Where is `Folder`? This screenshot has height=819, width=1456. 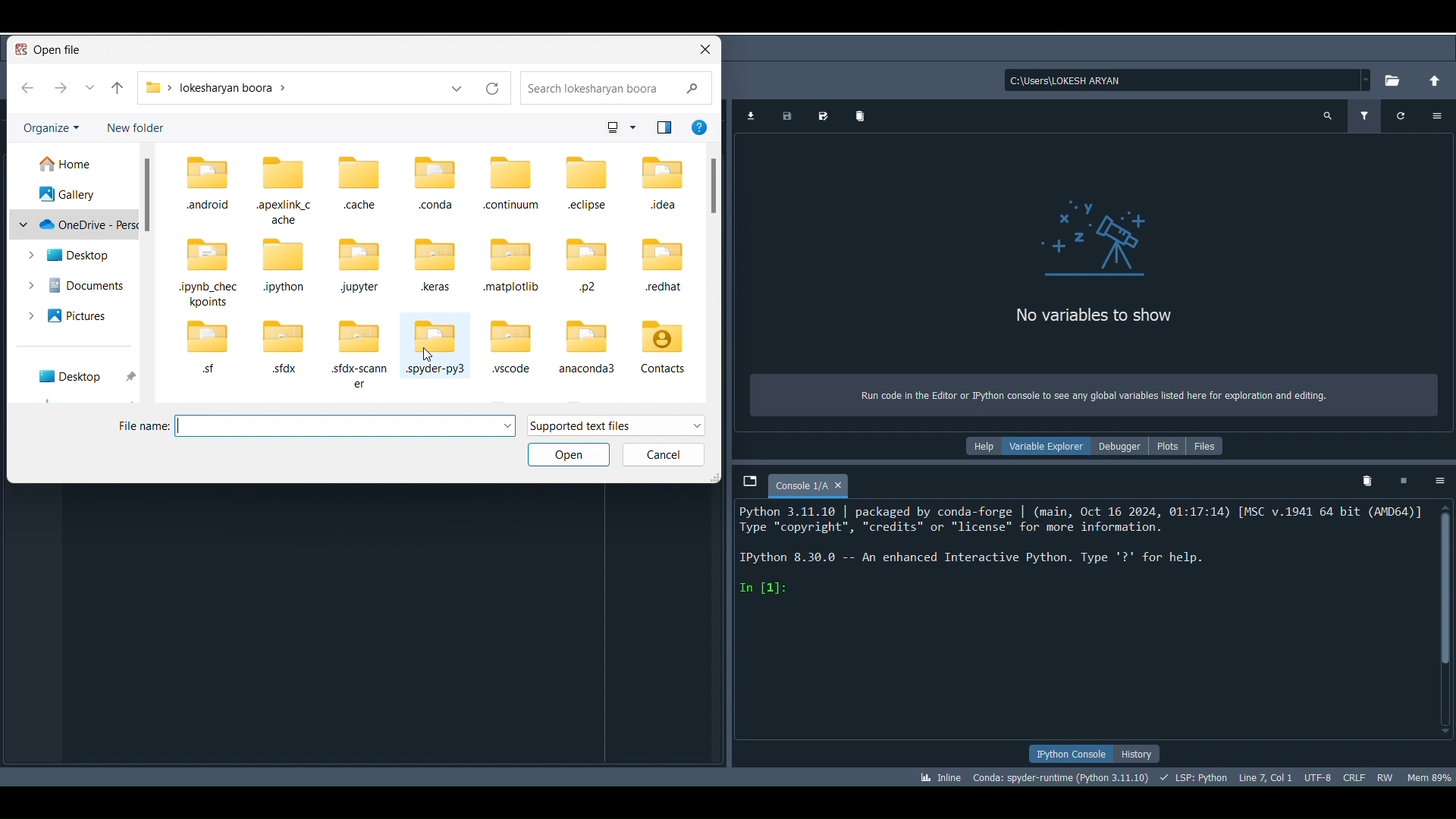 Folder is located at coordinates (586, 348).